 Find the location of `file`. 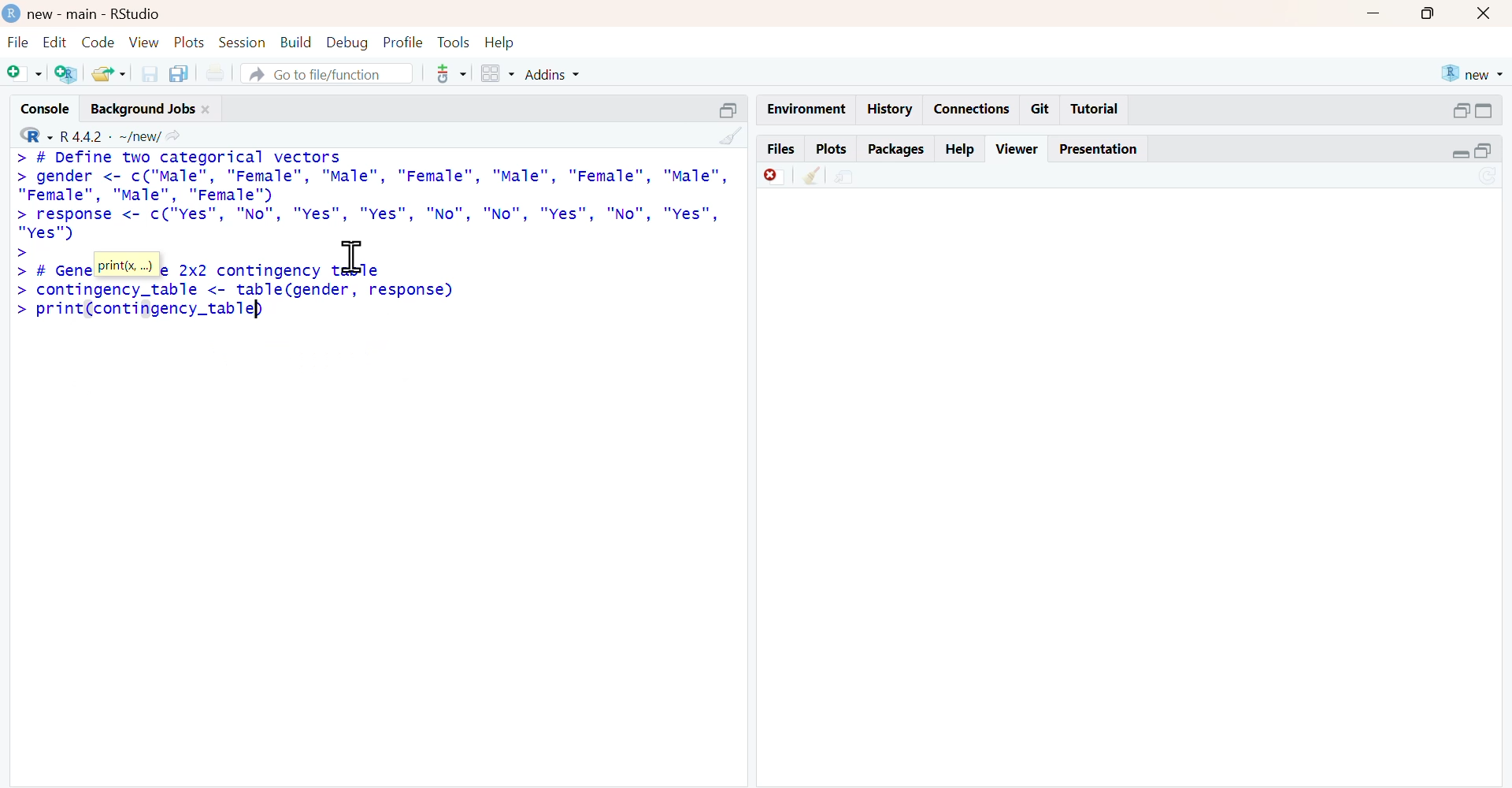

file is located at coordinates (20, 43).